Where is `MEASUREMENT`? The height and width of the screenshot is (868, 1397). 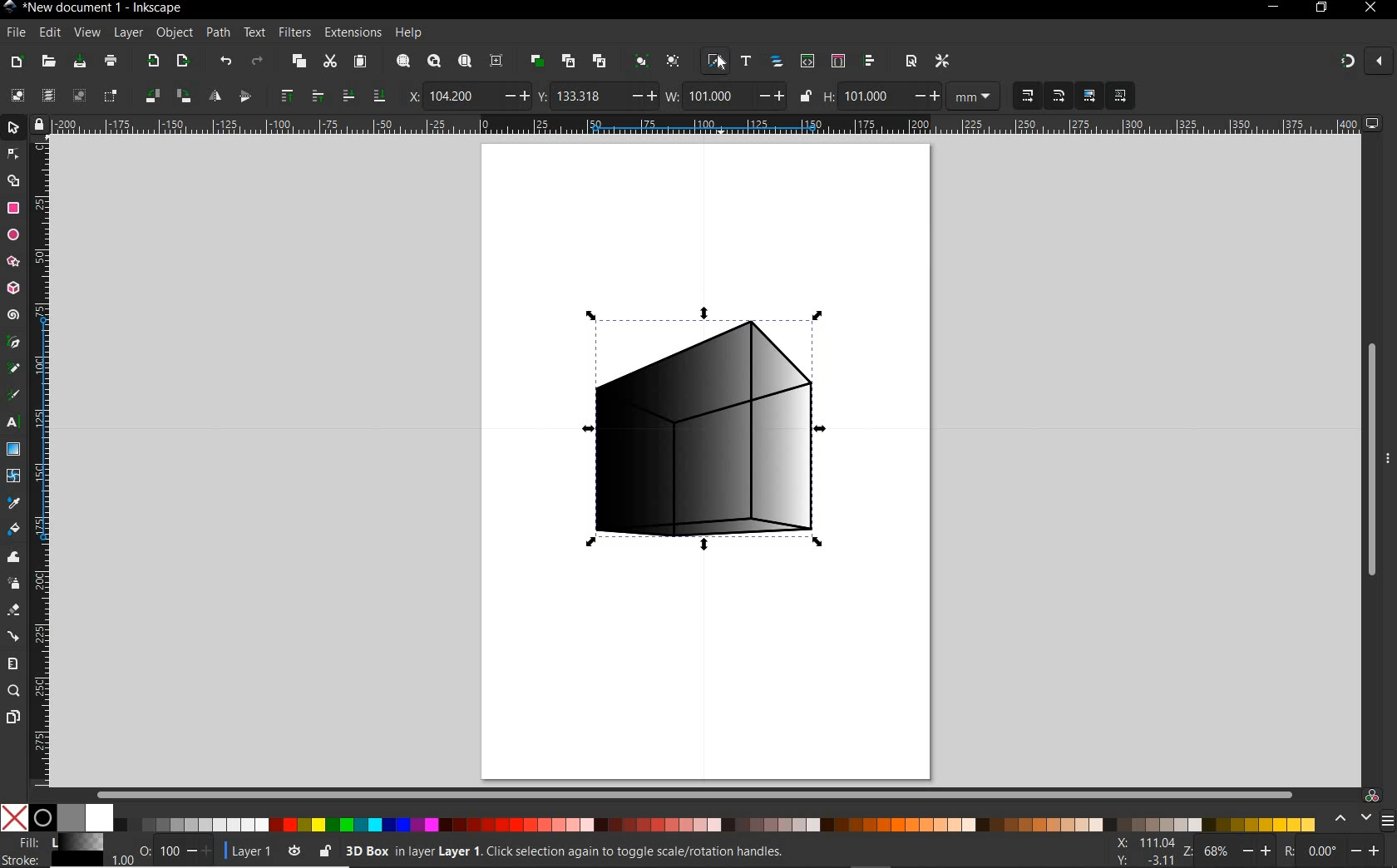 MEASUREMENT is located at coordinates (971, 95).